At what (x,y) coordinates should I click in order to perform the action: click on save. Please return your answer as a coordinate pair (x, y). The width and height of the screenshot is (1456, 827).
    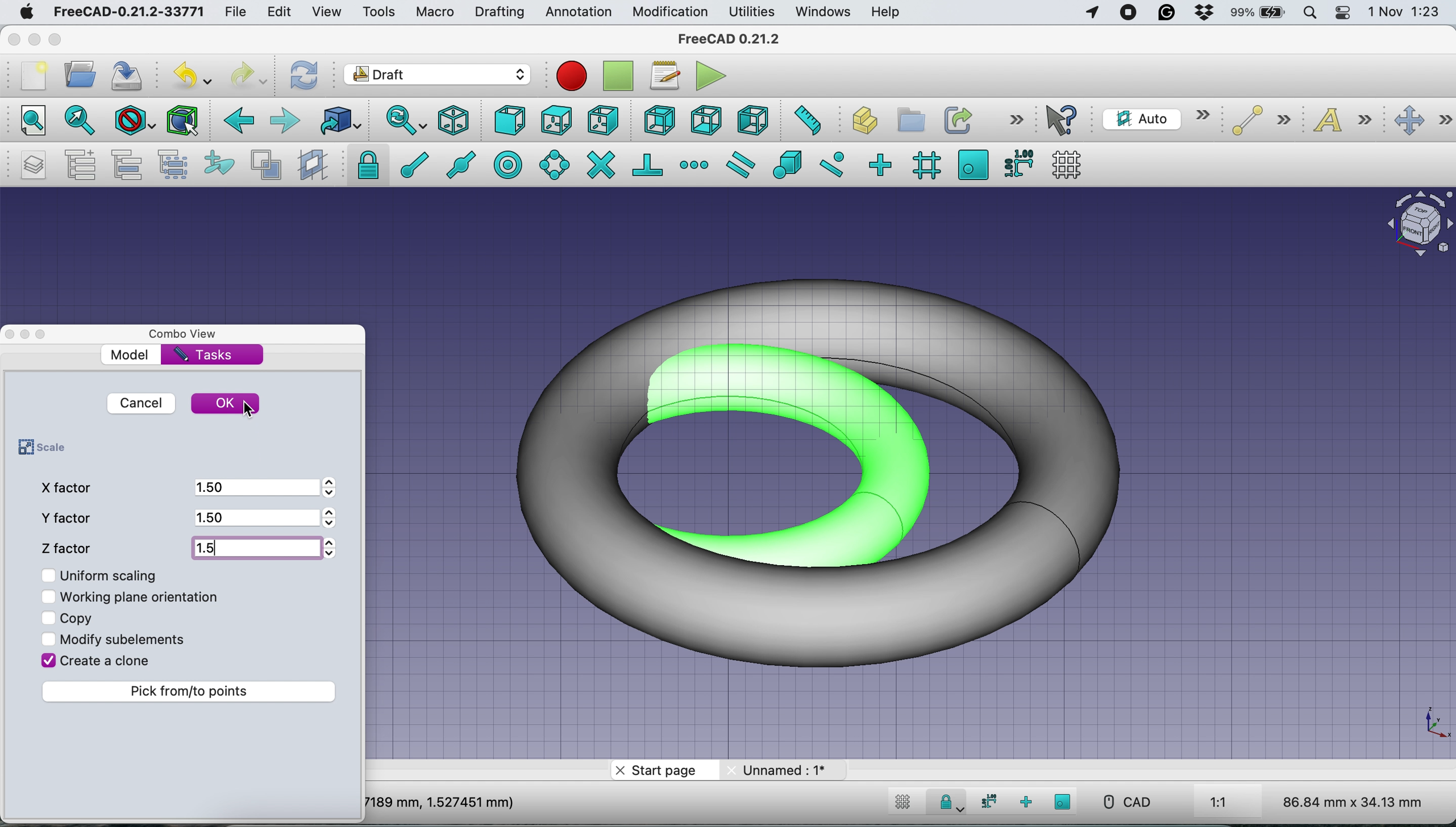
    Looking at the image, I should click on (131, 74).